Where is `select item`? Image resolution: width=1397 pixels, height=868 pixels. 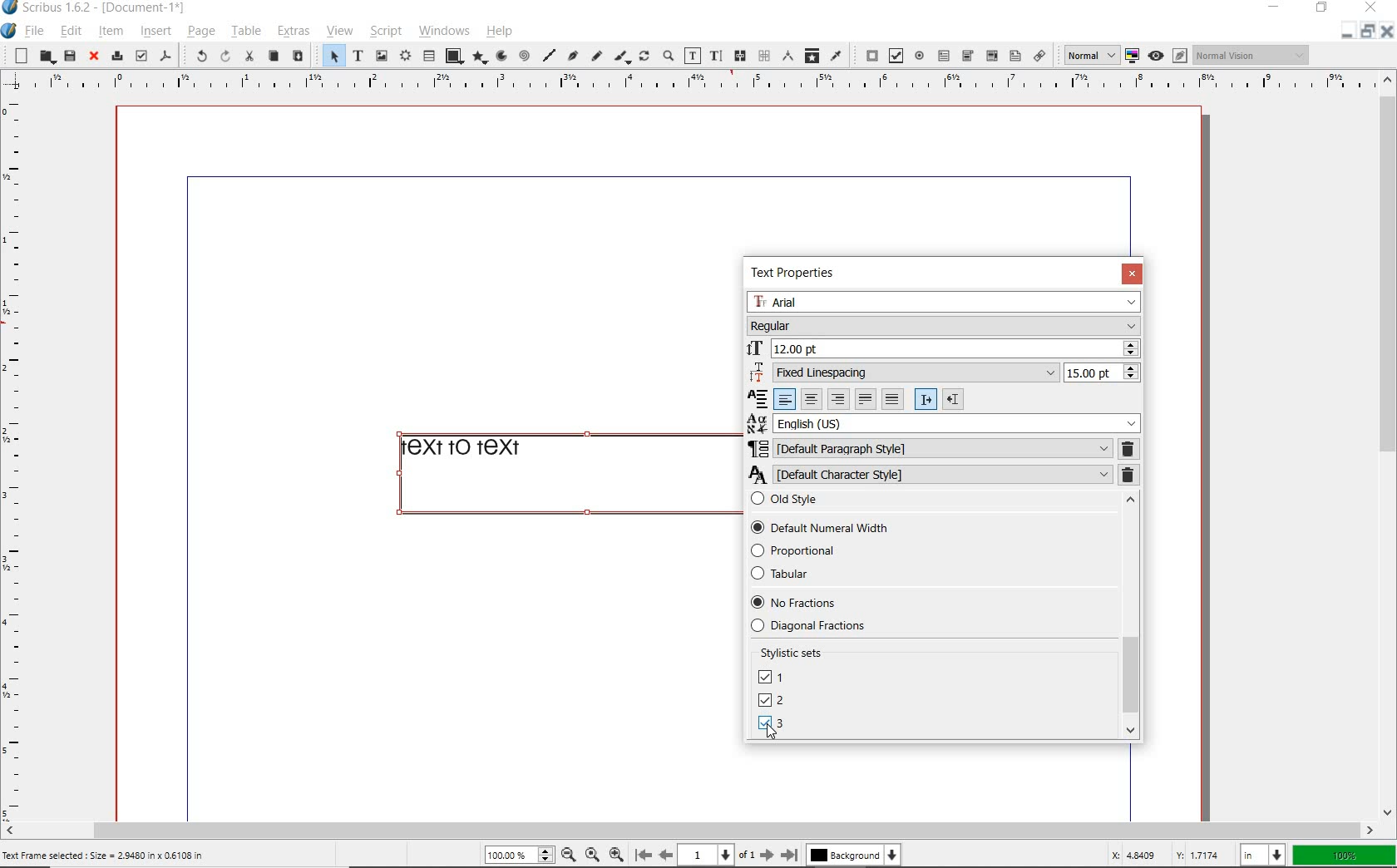 select item is located at coordinates (331, 57).